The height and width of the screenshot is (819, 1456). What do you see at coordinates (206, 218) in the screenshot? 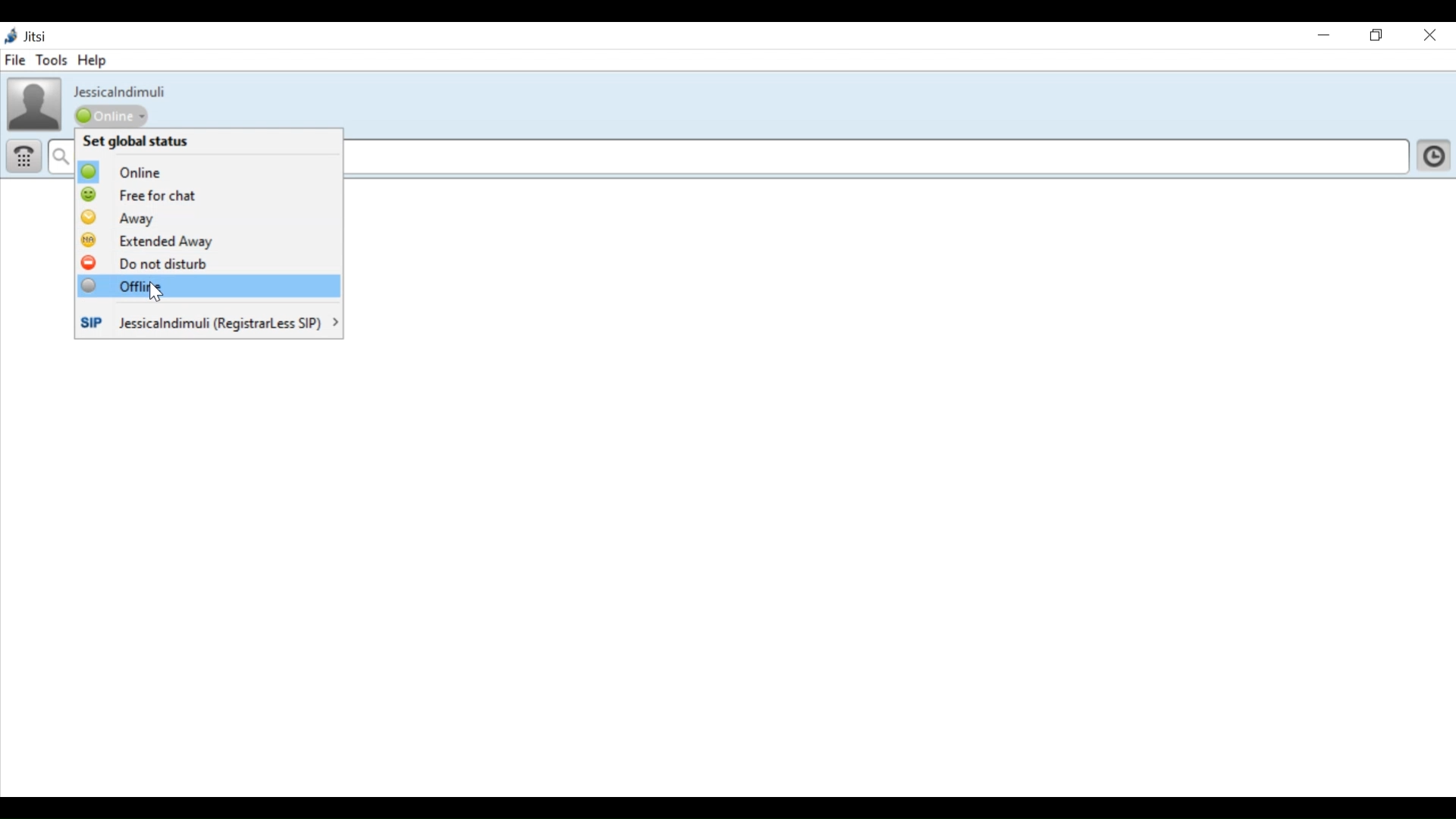
I see `Away` at bounding box center [206, 218].